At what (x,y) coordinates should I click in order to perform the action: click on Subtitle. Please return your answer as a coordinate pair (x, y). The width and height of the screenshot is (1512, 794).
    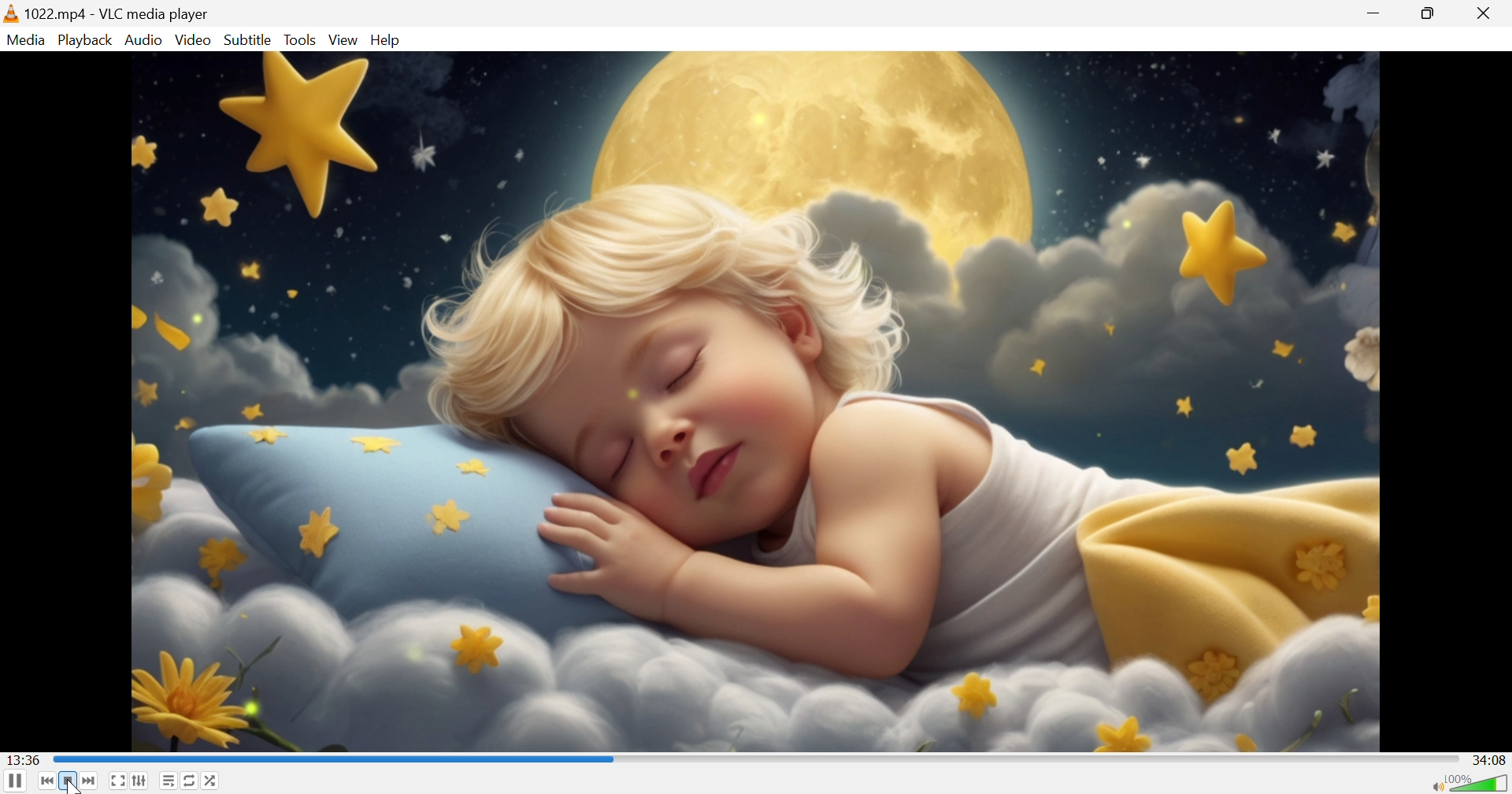
    Looking at the image, I should click on (249, 39).